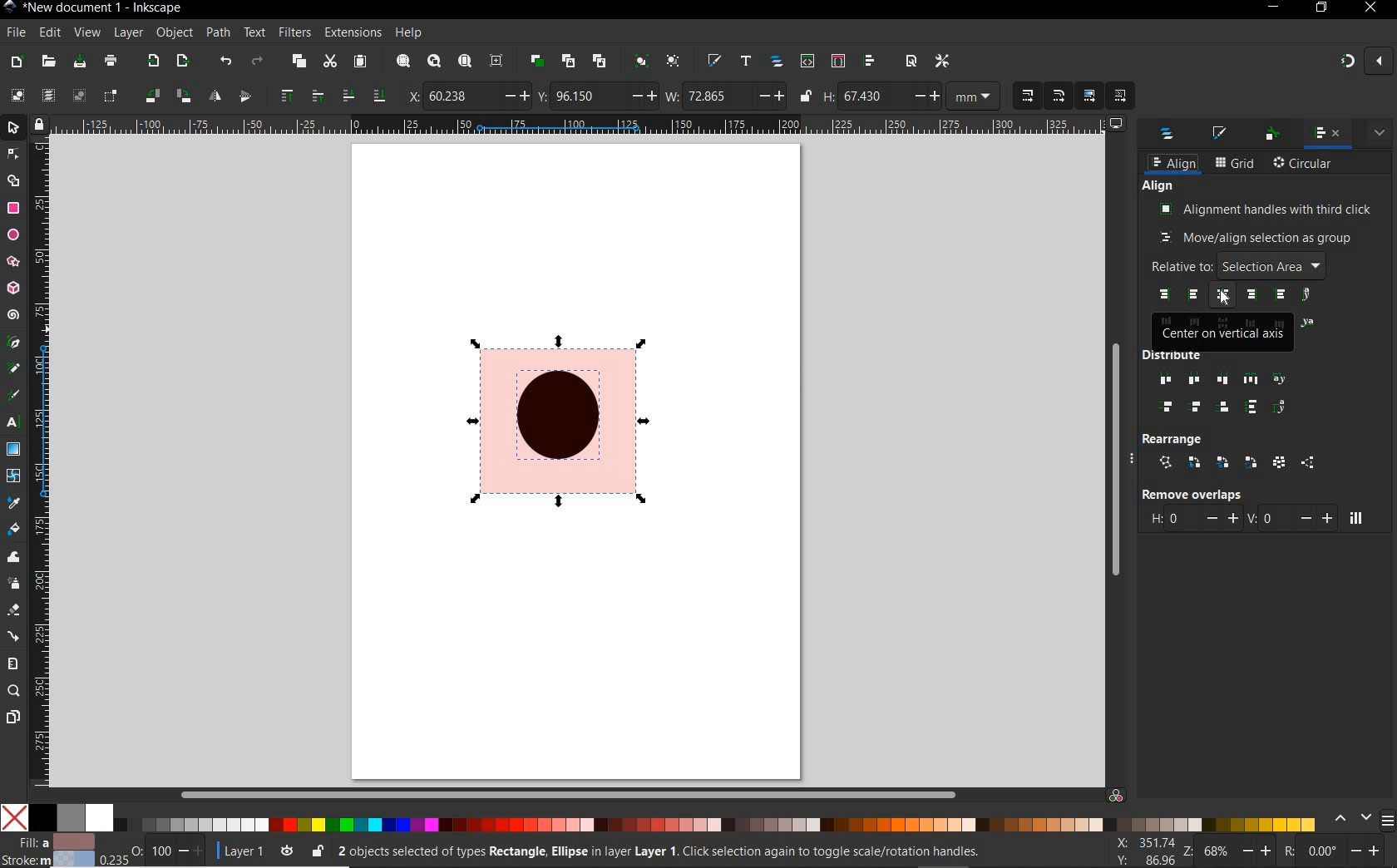 The height and width of the screenshot is (868, 1397). I want to click on when scaling rectangles, so click(1059, 96).